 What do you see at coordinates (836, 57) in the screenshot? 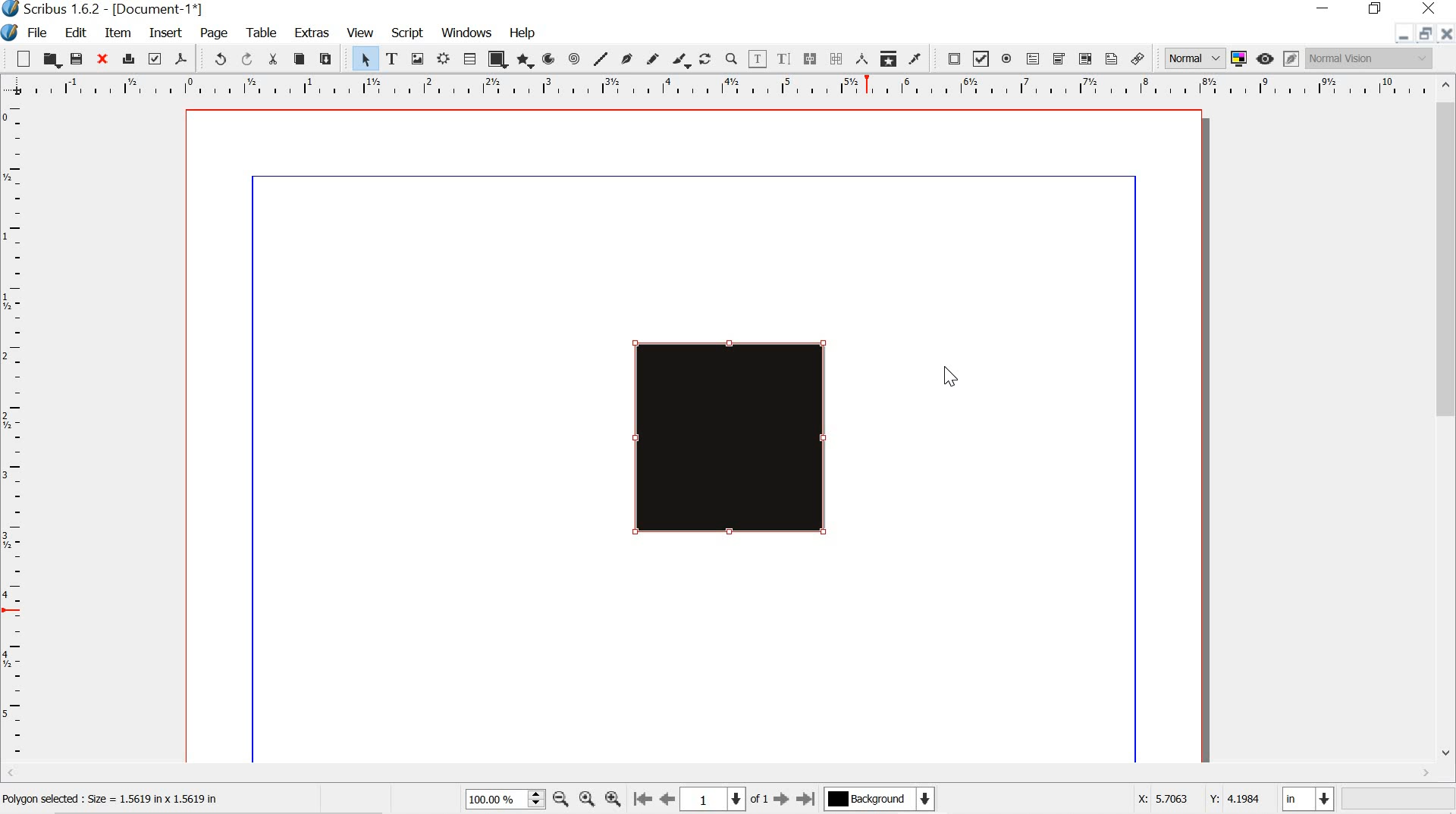
I see `unlink text frames` at bounding box center [836, 57].